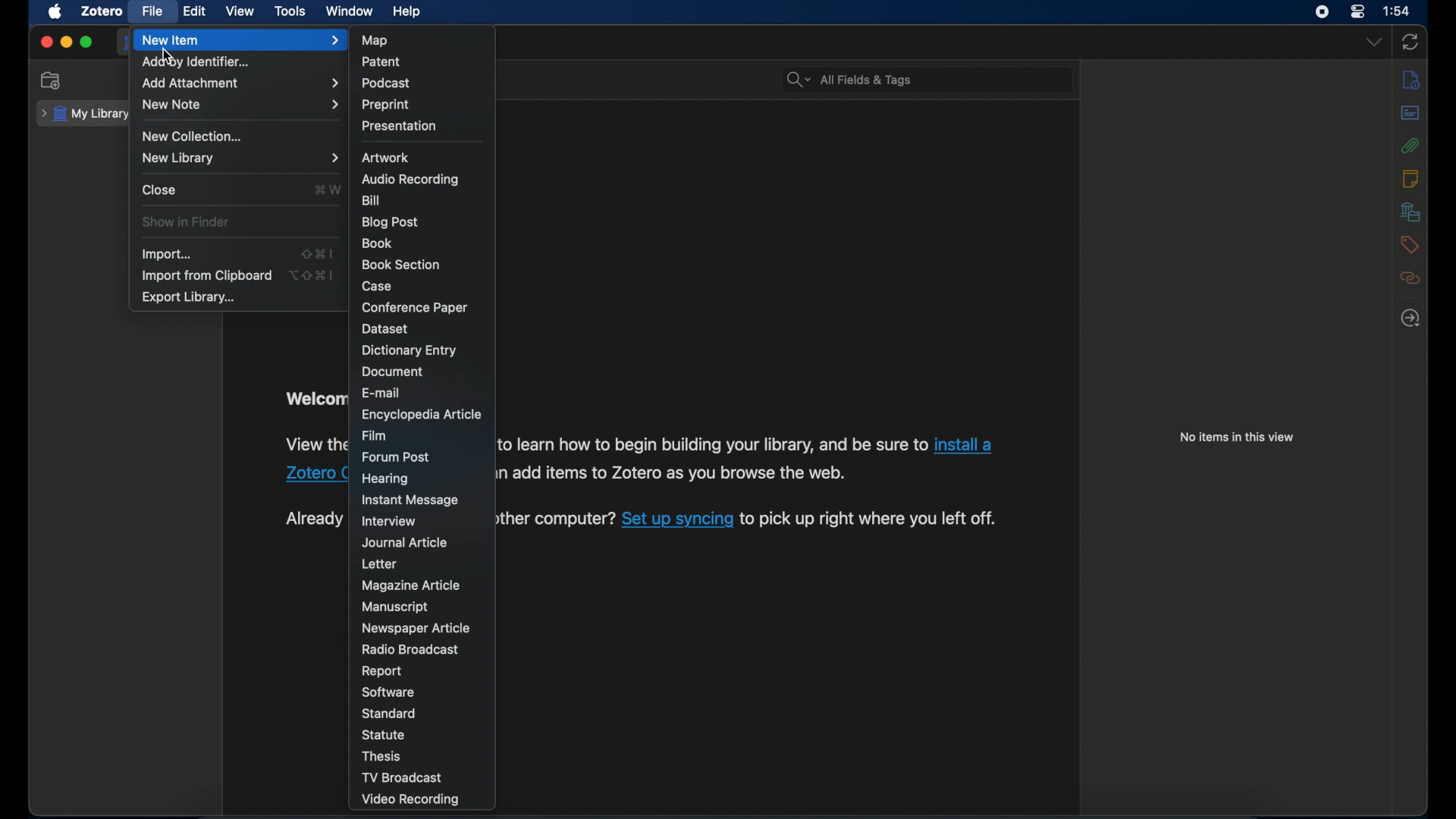  Describe the element at coordinates (310, 275) in the screenshot. I see `option + shift + command + I` at that location.